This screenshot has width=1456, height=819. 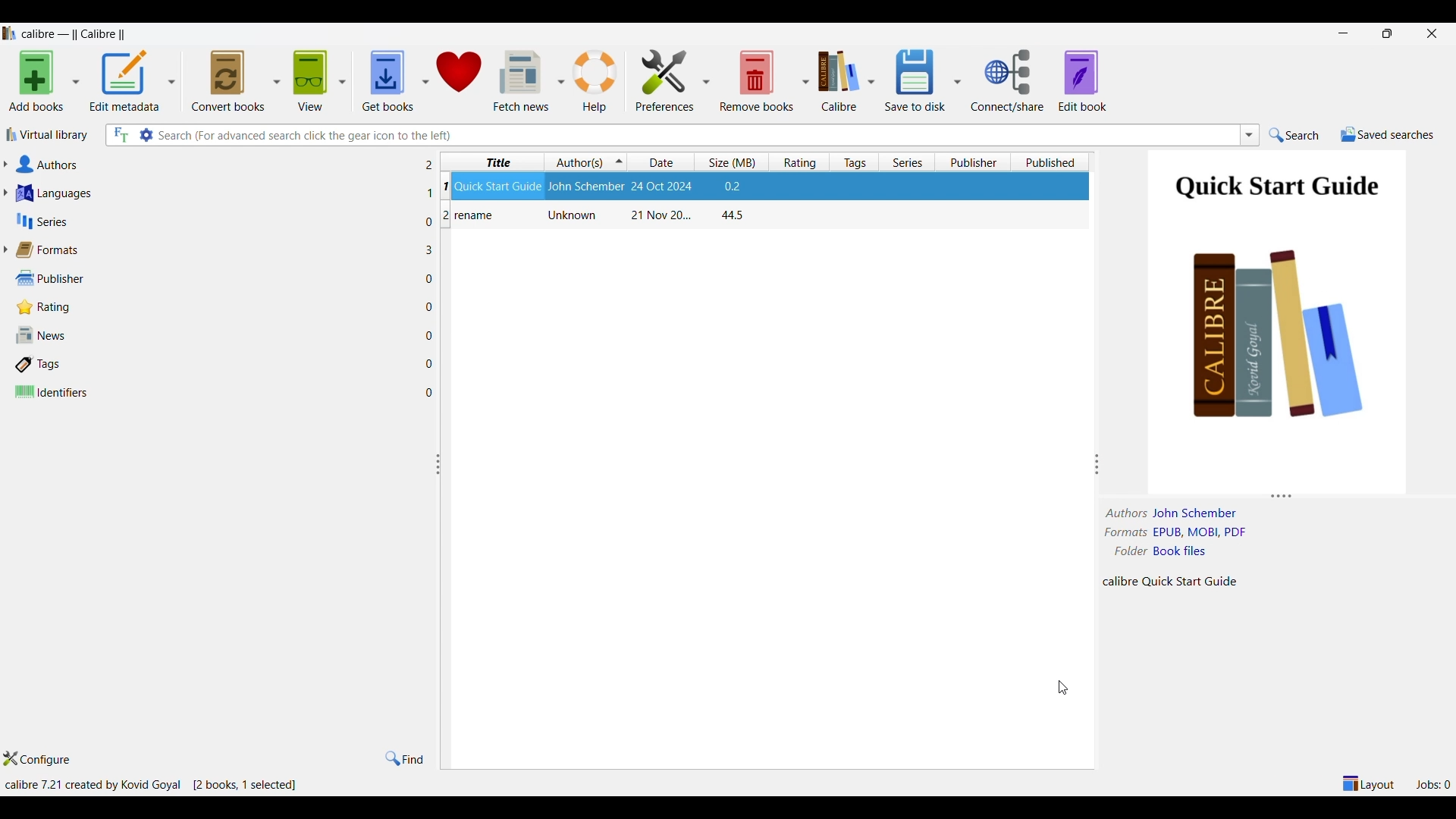 What do you see at coordinates (277, 80) in the screenshot?
I see `Convert book options` at bounding box center [277, 80].